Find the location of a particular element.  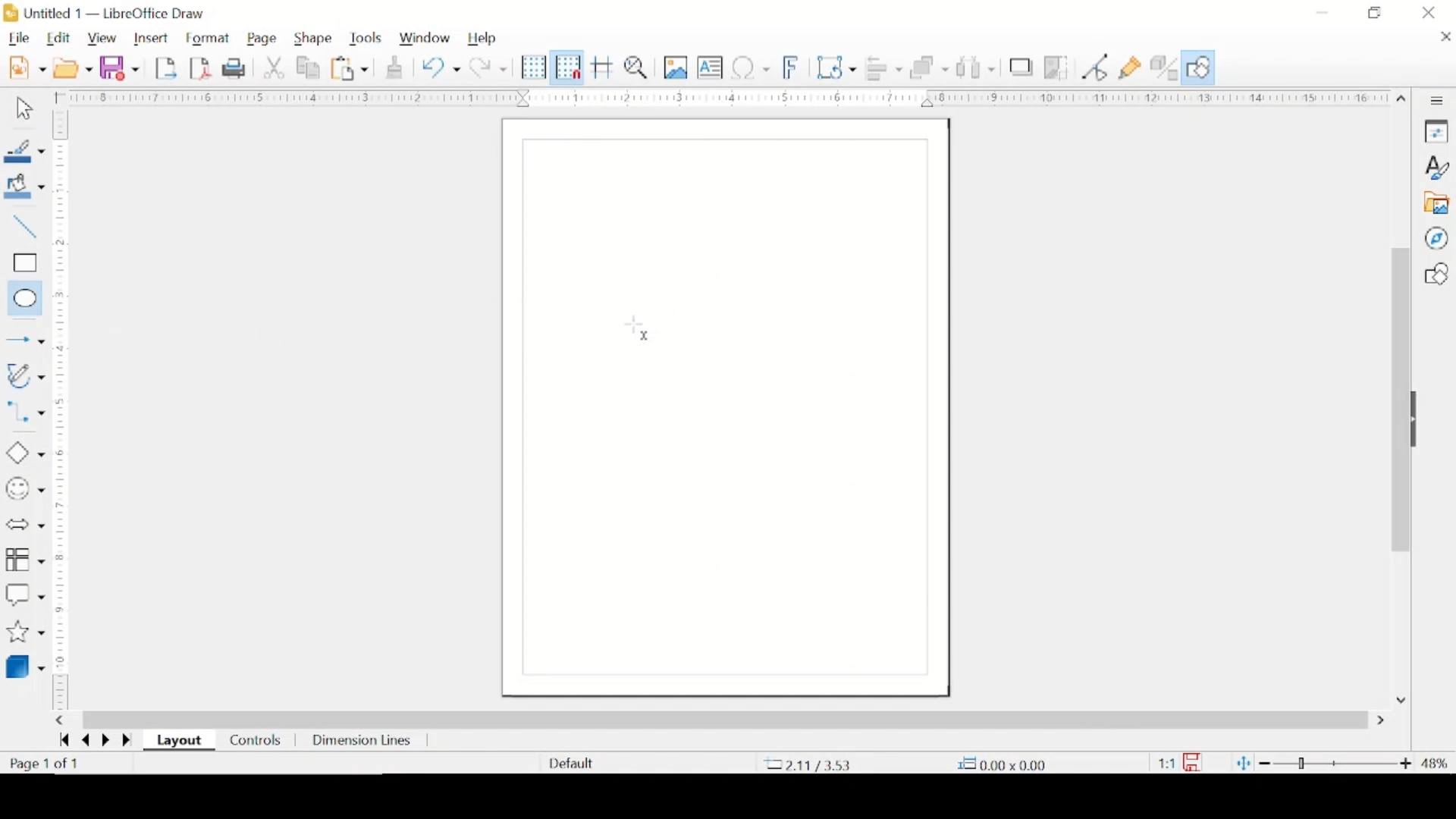

tools is located at coordinates (366, 39).